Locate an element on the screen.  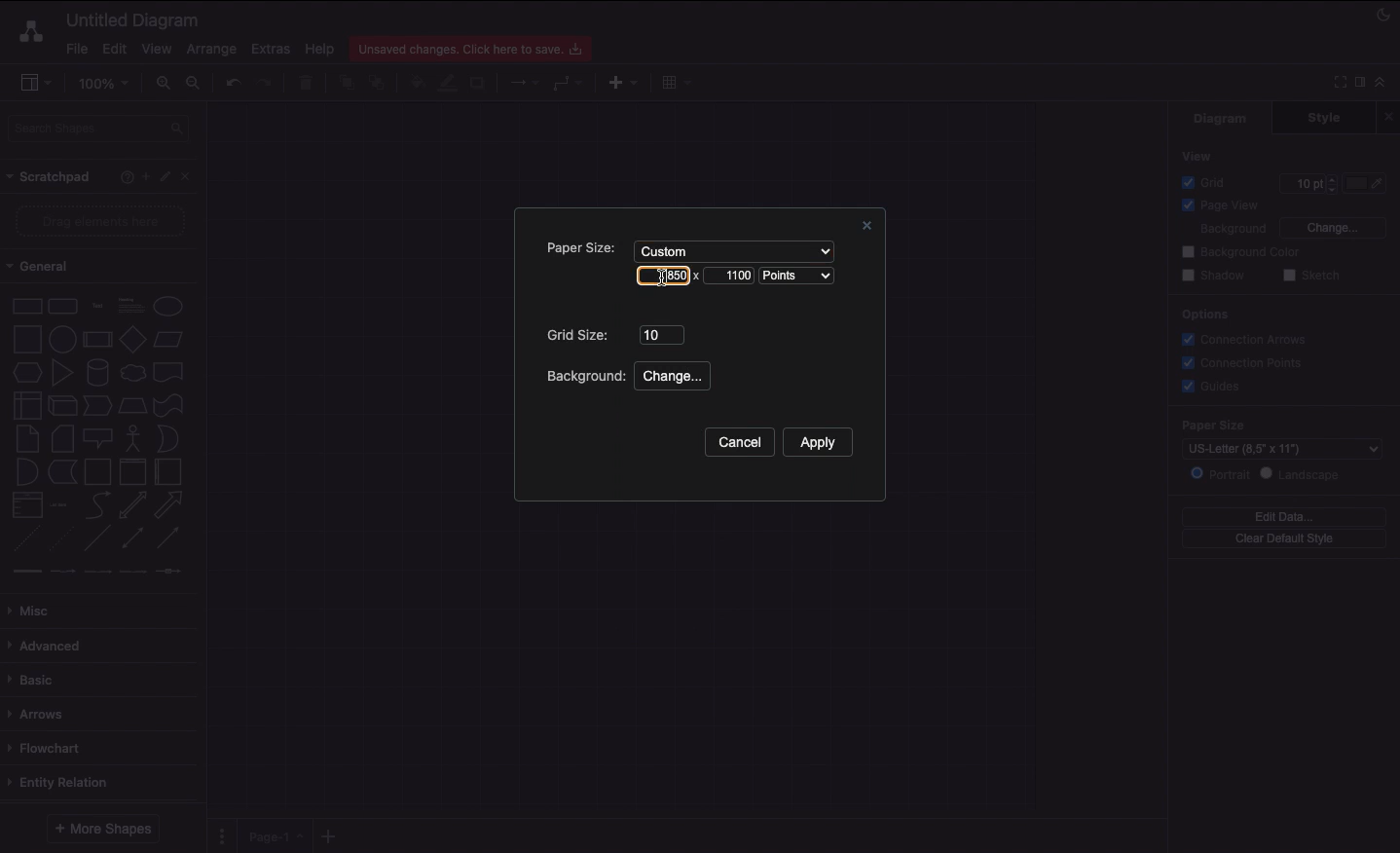
Shadow is located at coordinates (479, 82).